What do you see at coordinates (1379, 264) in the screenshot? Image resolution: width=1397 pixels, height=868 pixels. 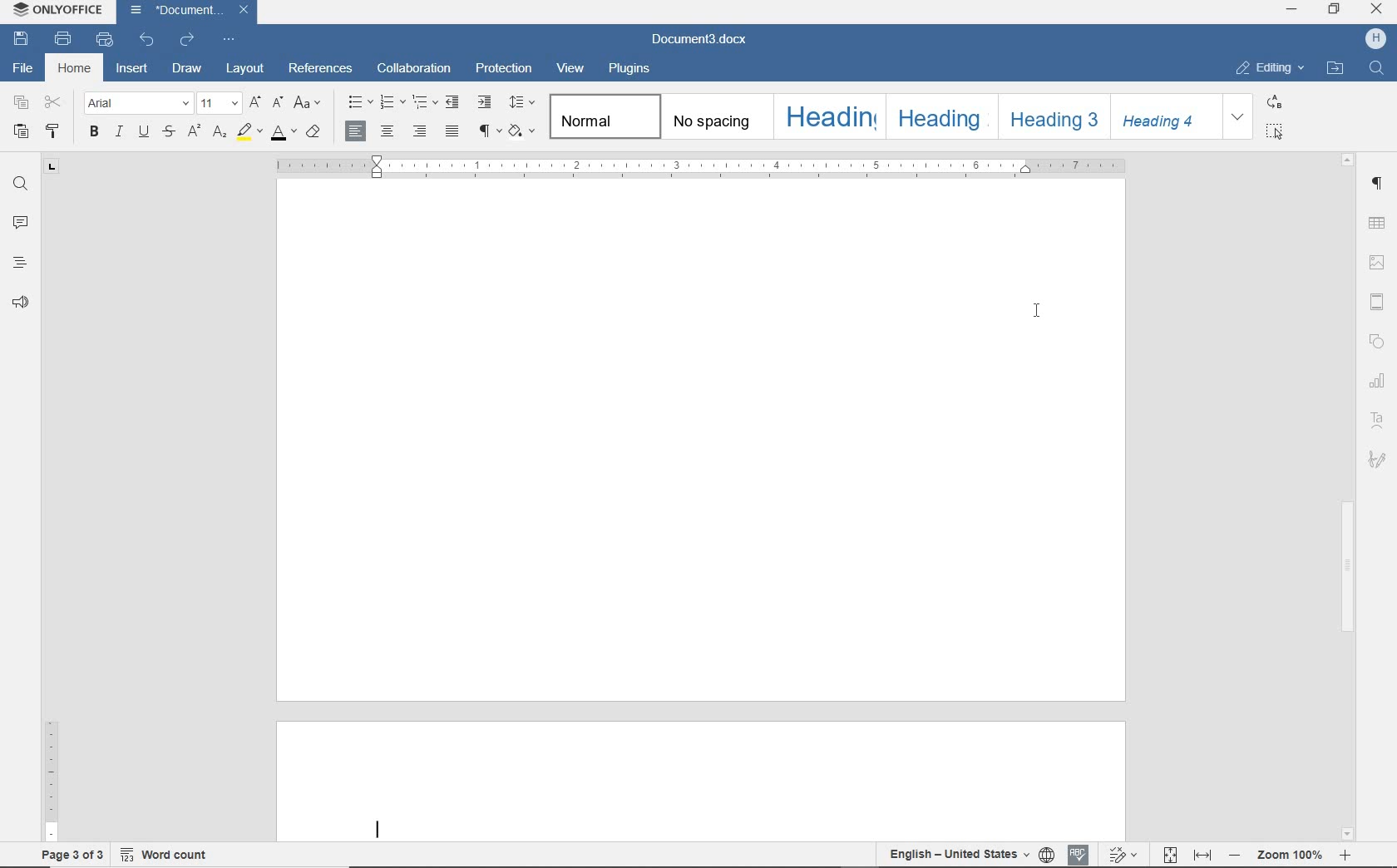 I see `IMAGE` at bounding box center [1379, 264].